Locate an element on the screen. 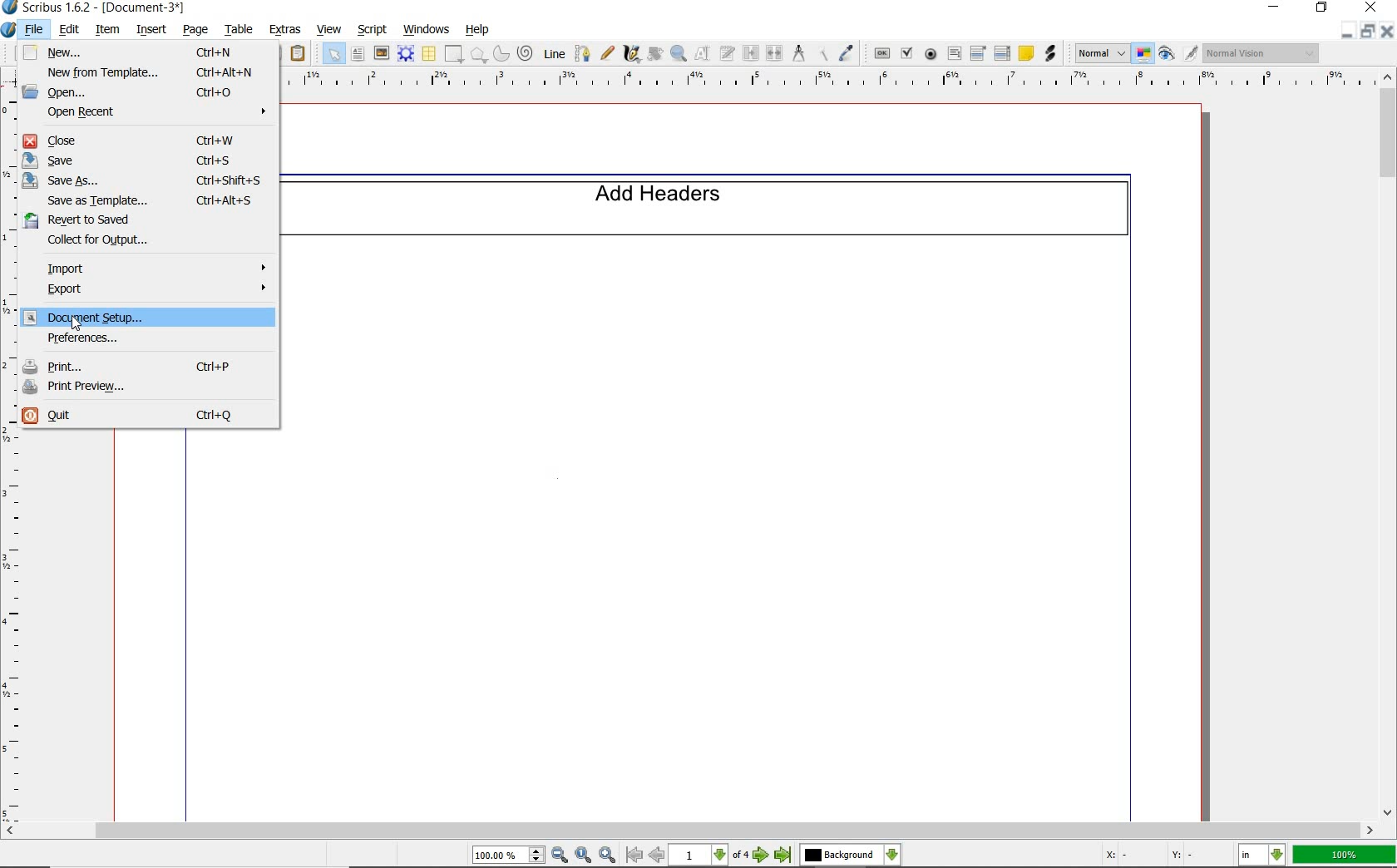 The image size is (1397, 868). link text frames is located at coordinates (751, 53).